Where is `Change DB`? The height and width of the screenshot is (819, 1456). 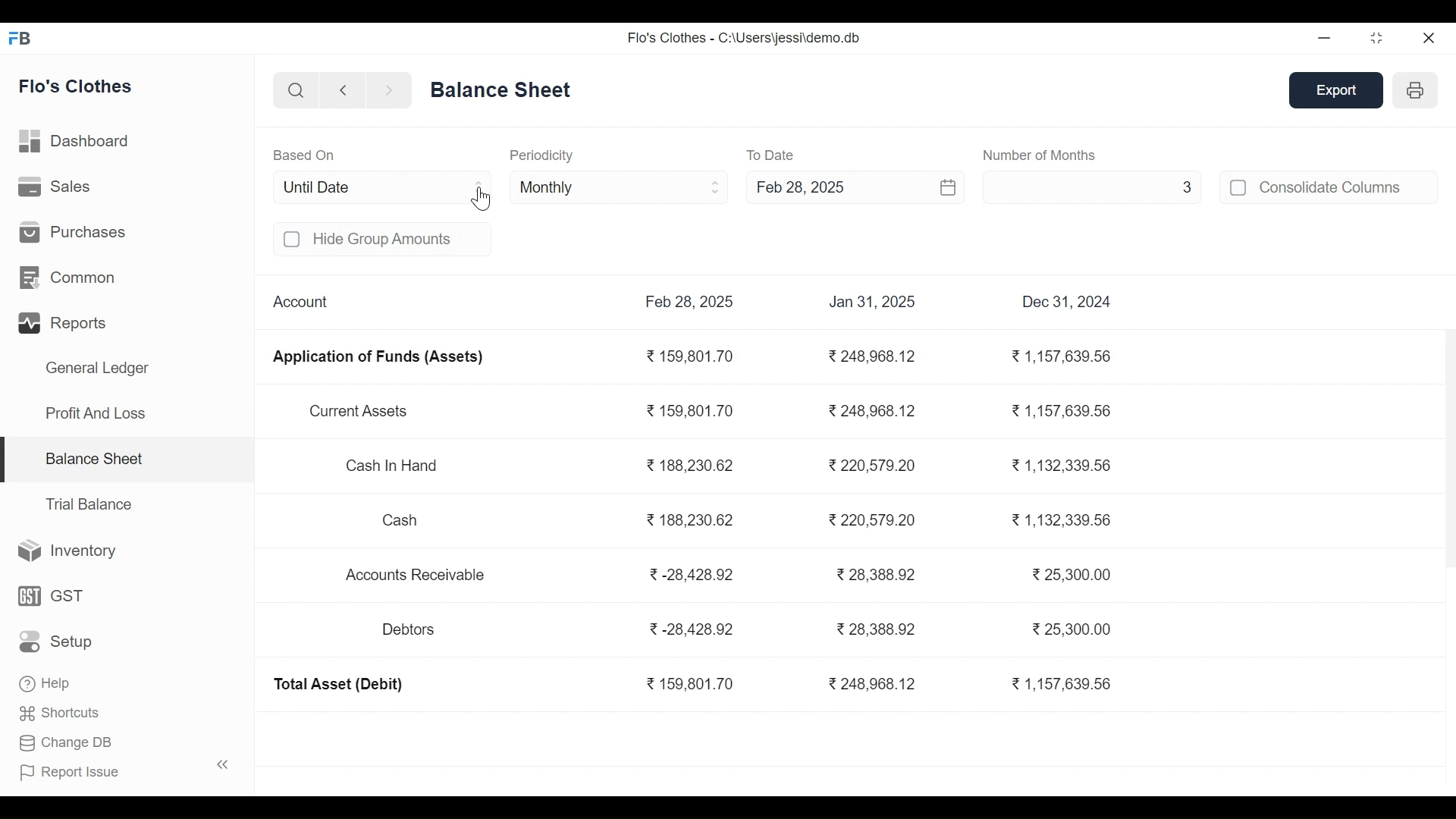 Change DB is located at coordinates (66, 740).